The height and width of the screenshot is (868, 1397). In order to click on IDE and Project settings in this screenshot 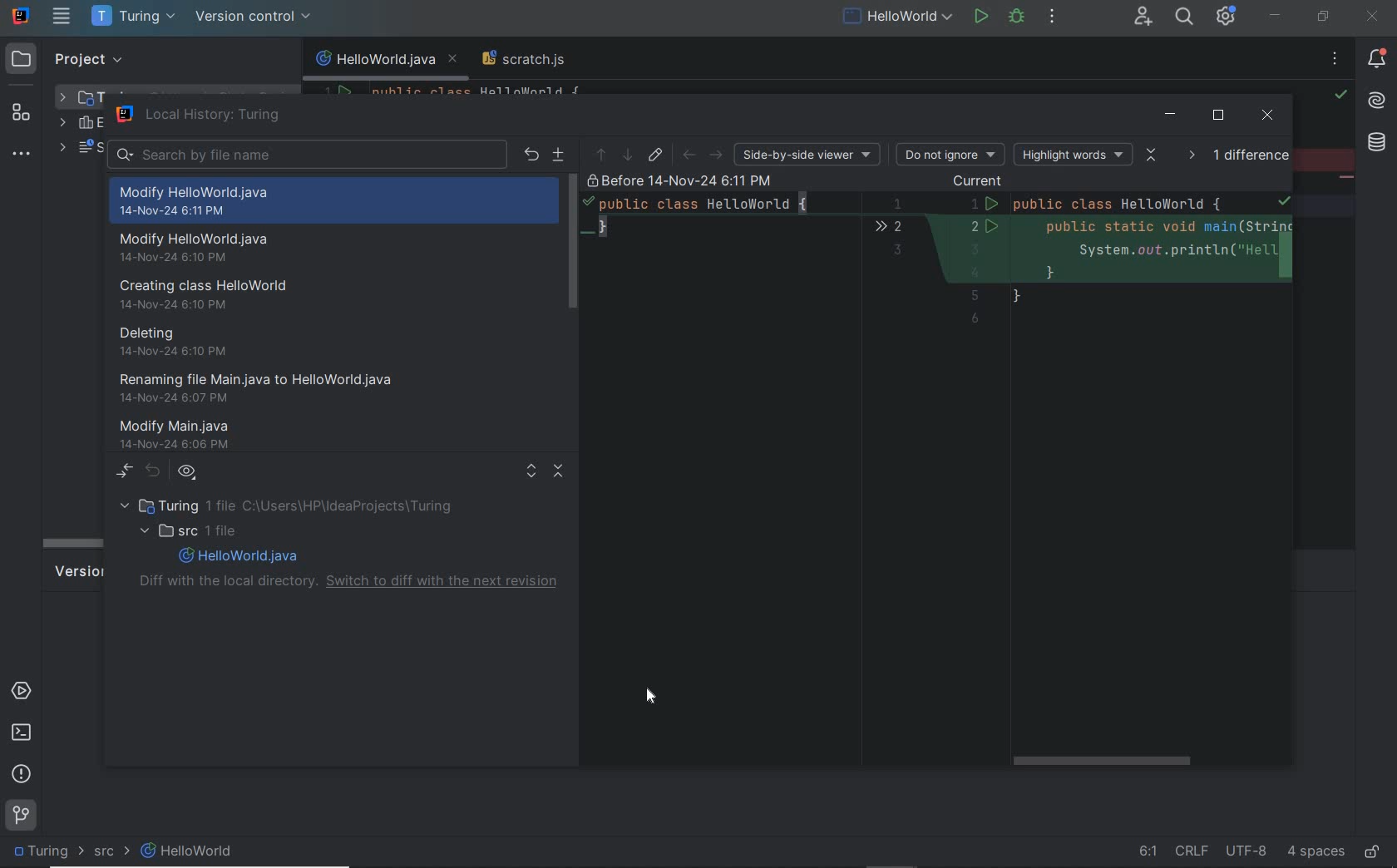, I will do `click(1226, 14)`.